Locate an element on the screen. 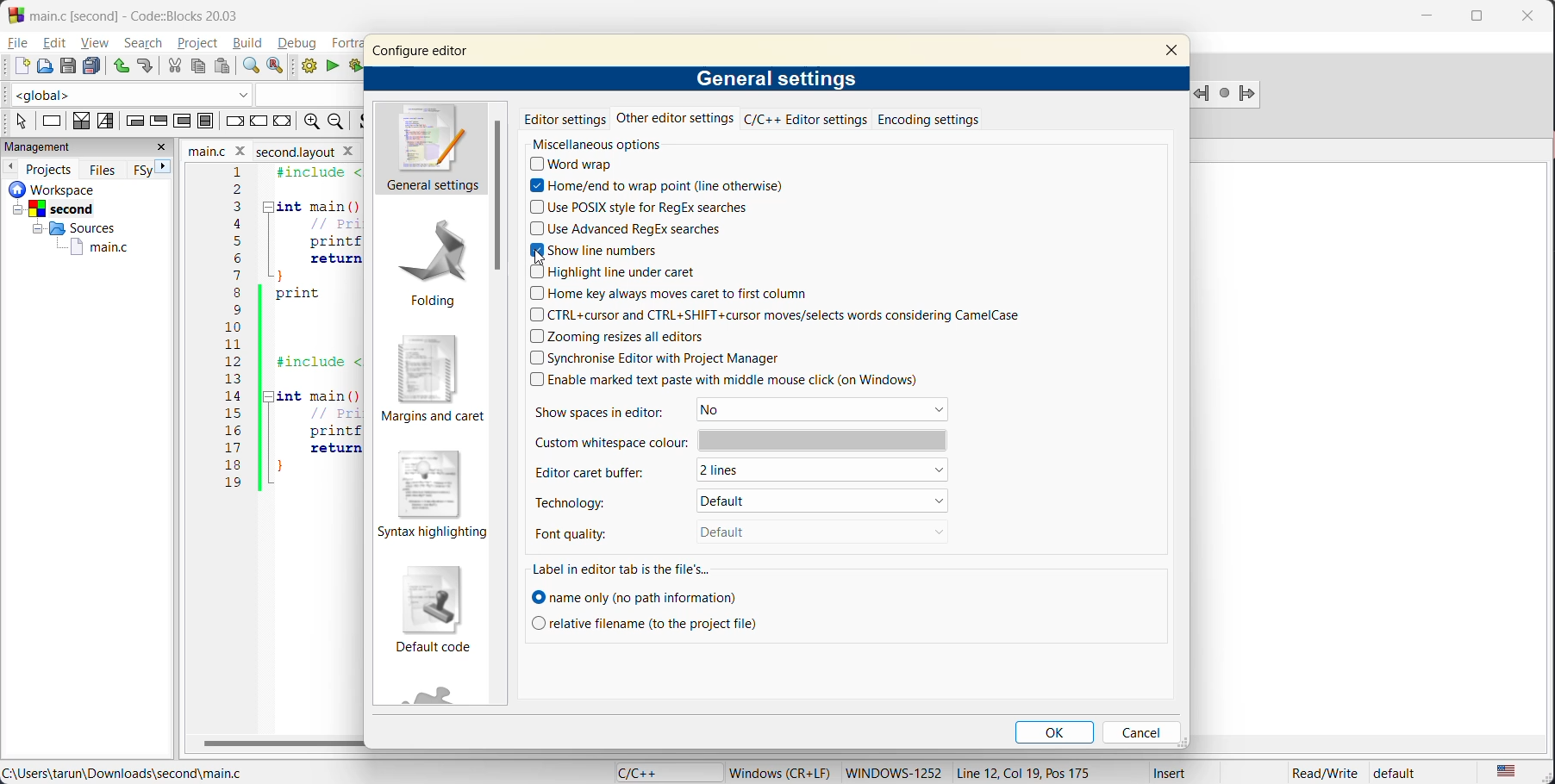 Image resolution: width=1555 pixels, height=784 pixels. open is located at coordinates (43, 66).